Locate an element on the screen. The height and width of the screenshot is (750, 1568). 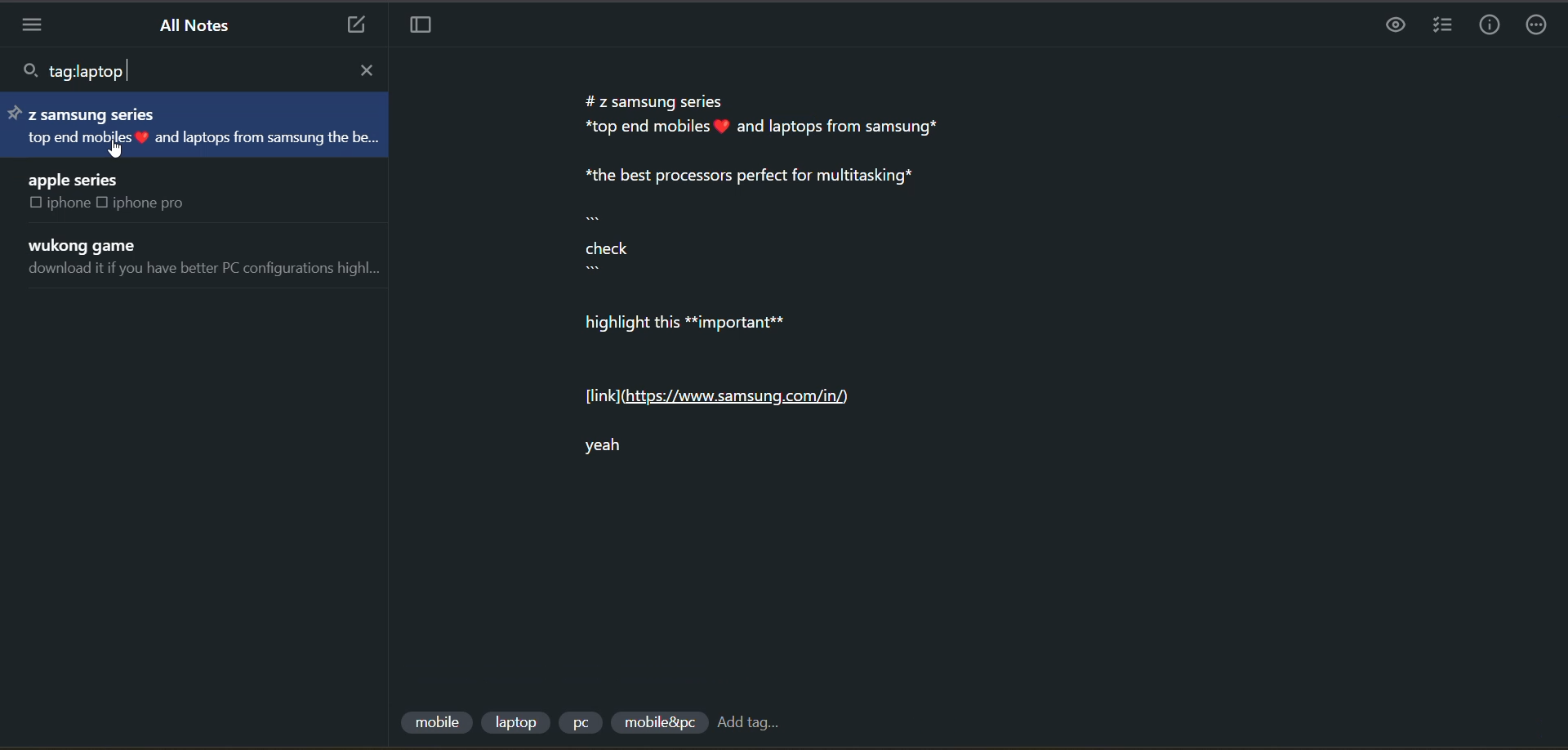
checkbox is located at coordinates (105, 204).